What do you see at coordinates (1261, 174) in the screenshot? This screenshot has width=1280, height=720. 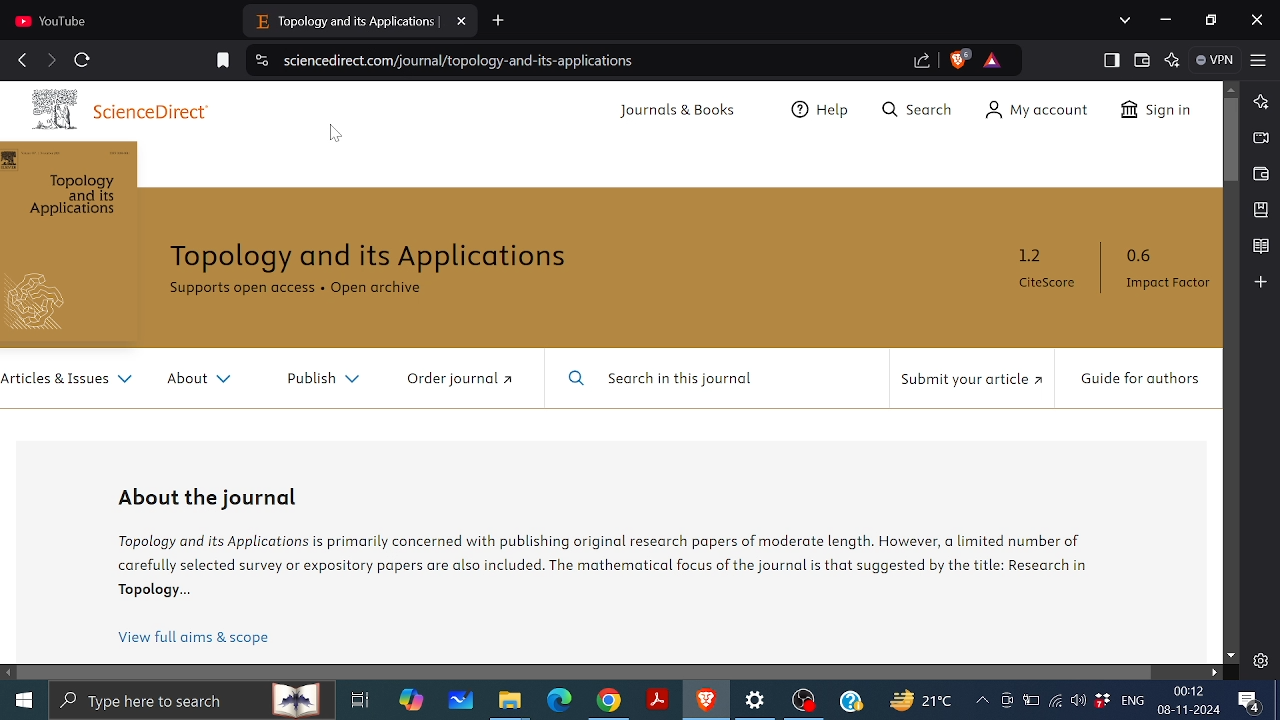 I see `Wallet` at bounding box center [1261, 174].